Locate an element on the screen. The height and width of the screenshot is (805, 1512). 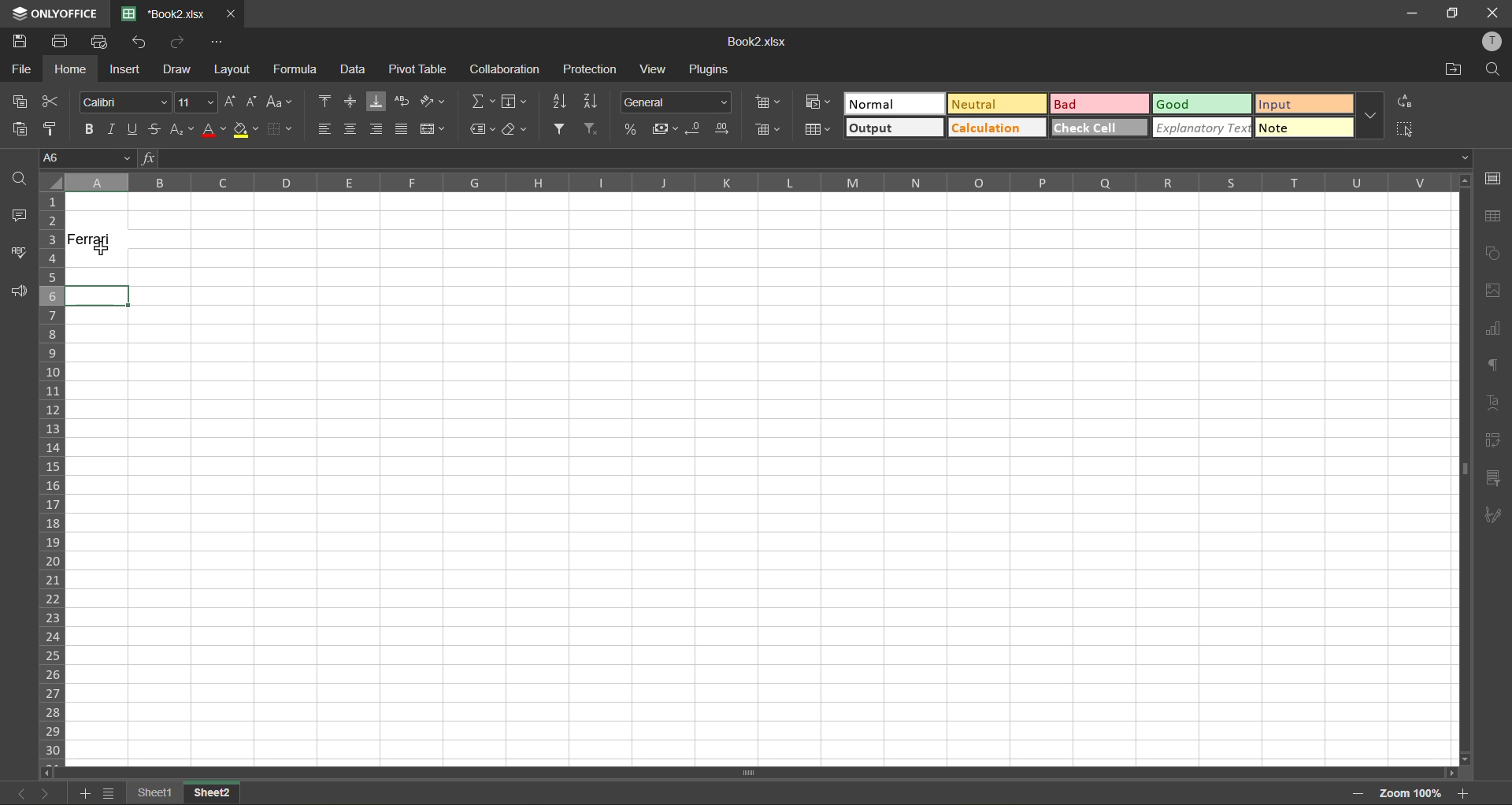
output is located at coordinates (897, 129).